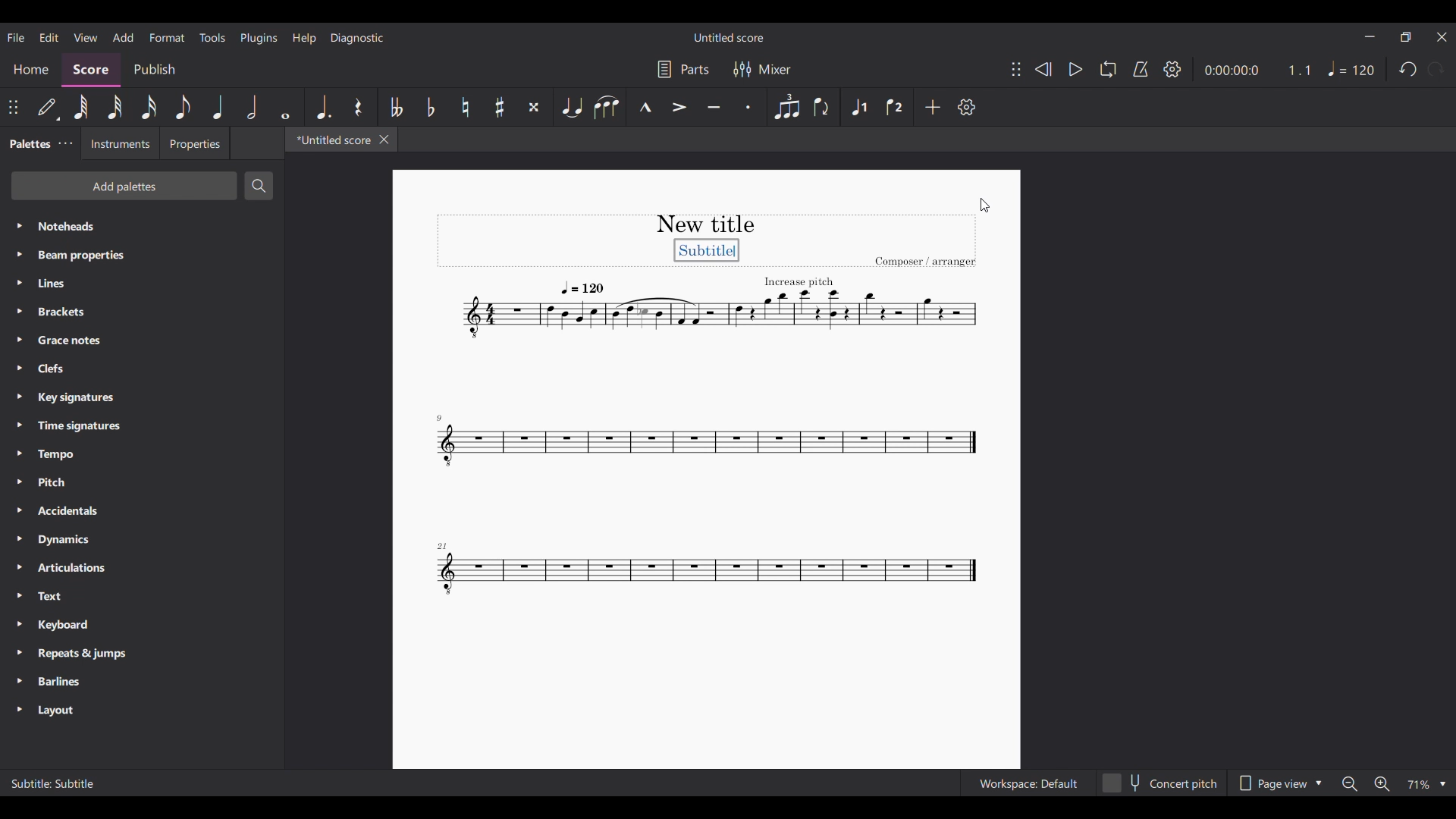  I want to click on Subtitle, so click(707, 250).